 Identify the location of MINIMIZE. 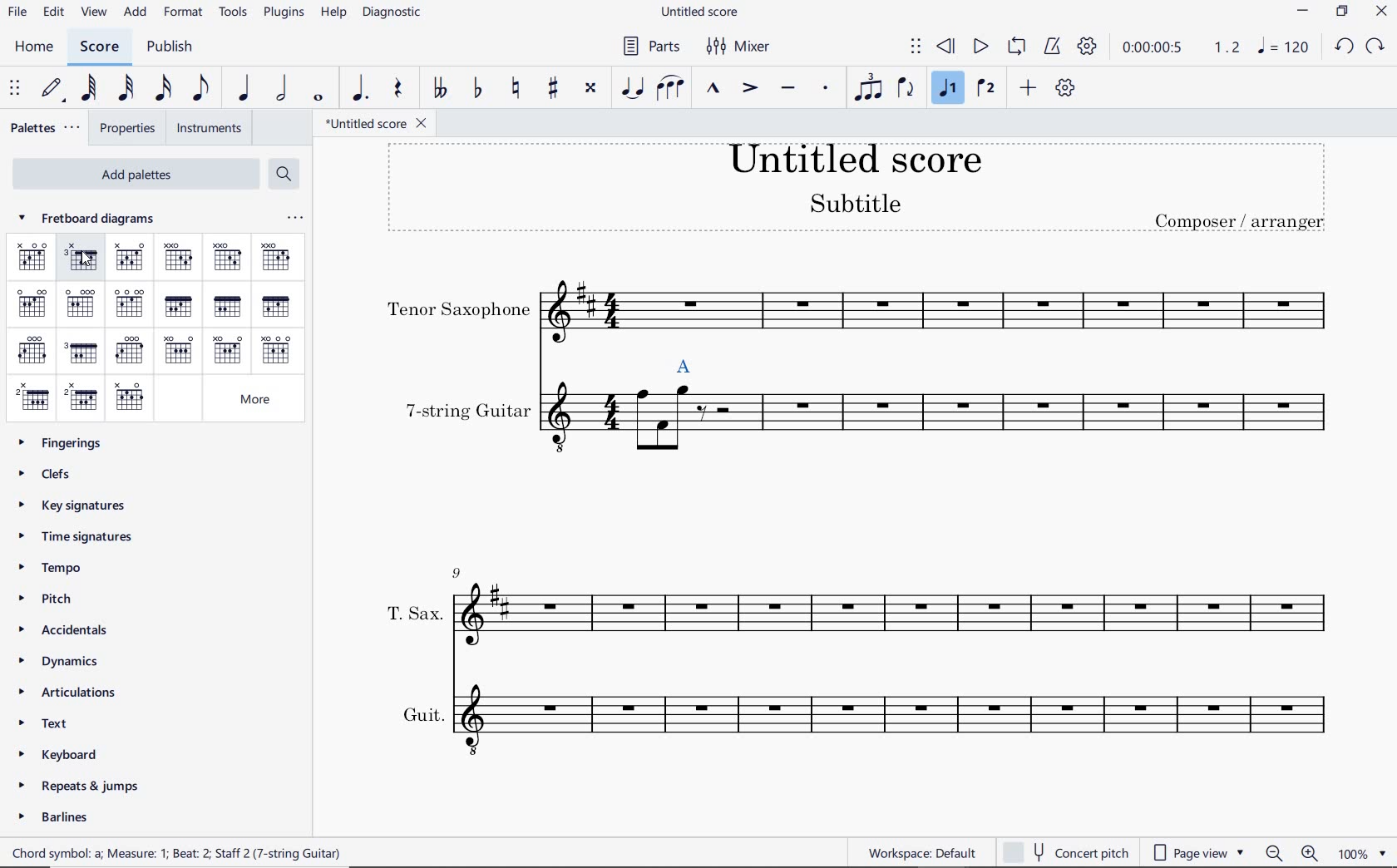
(1301, 12).